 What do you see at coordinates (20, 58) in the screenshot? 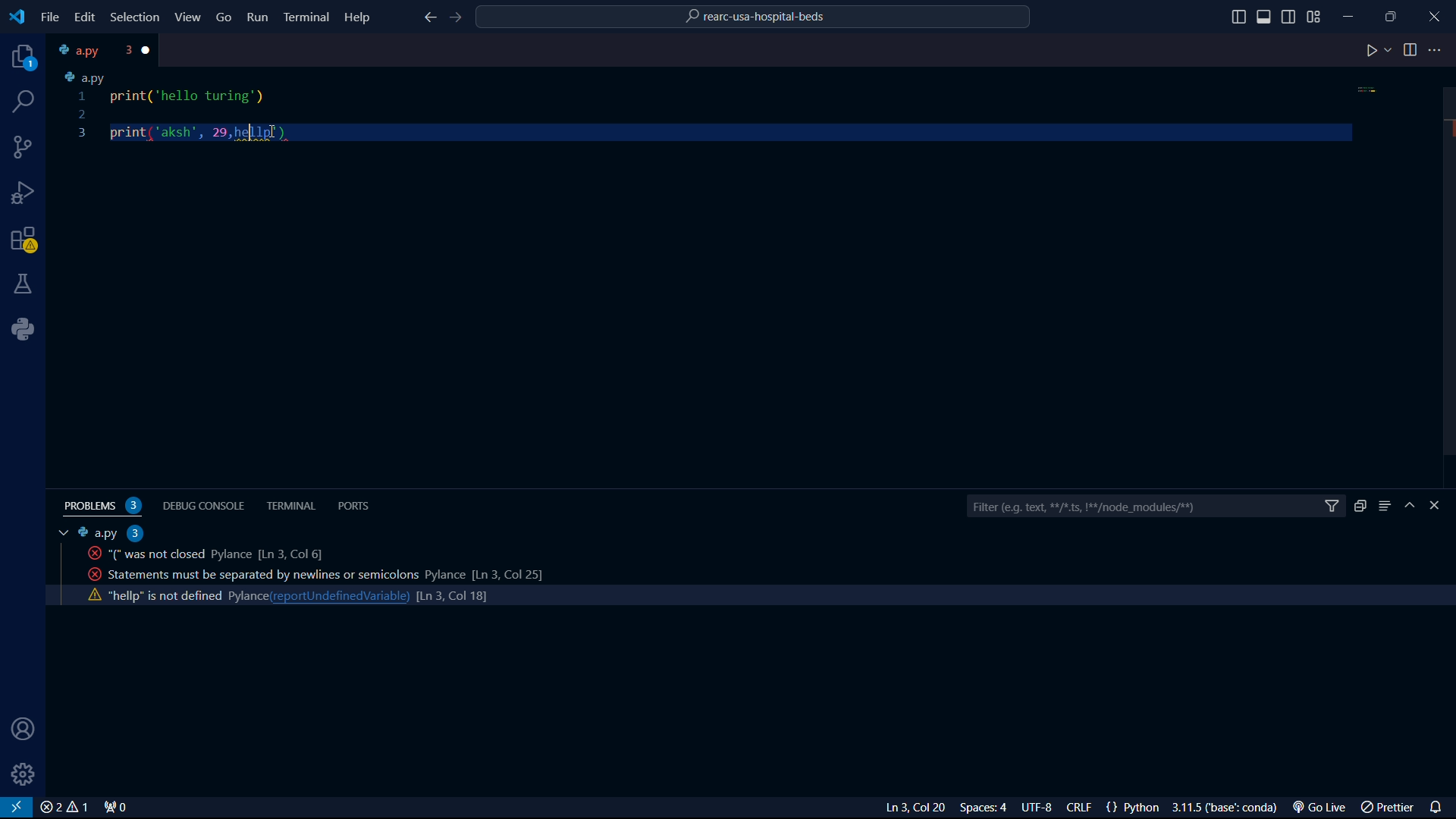
I see `projects` at bounding box center [20, 58].